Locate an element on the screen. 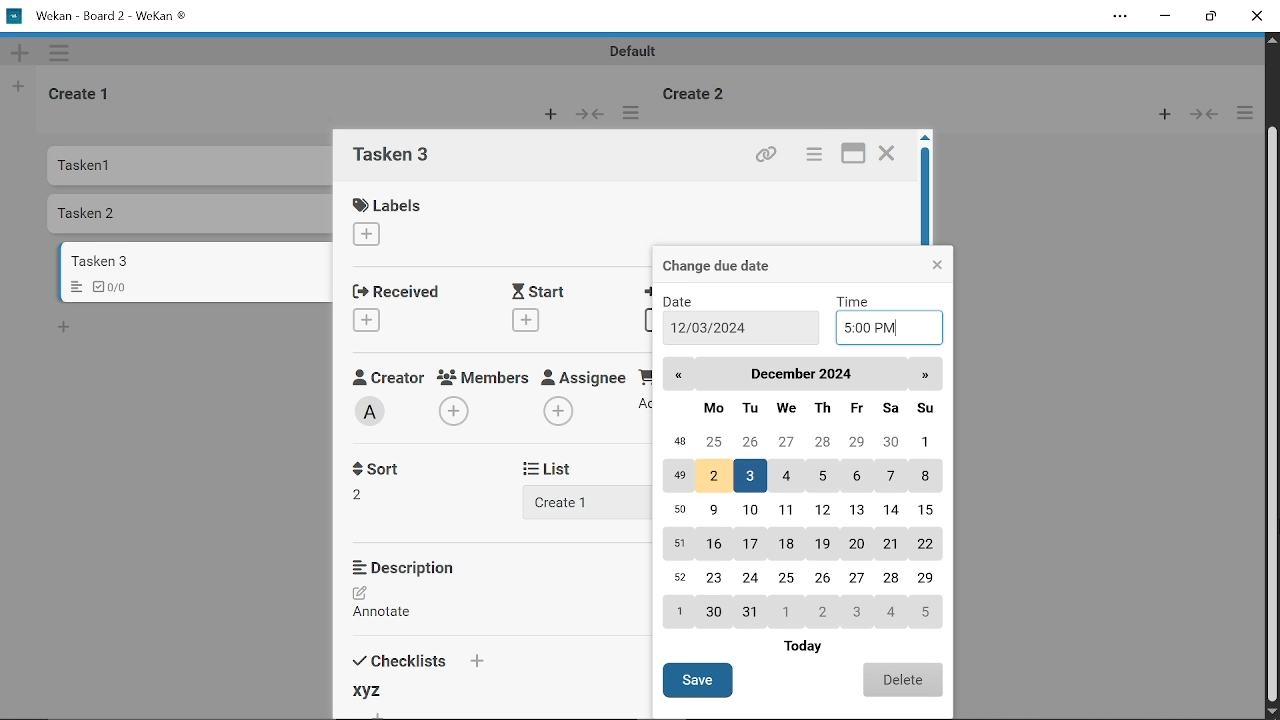 The height and width of the screenshot is (720, 1280). Create 1 is located at coordinates (81, 92).